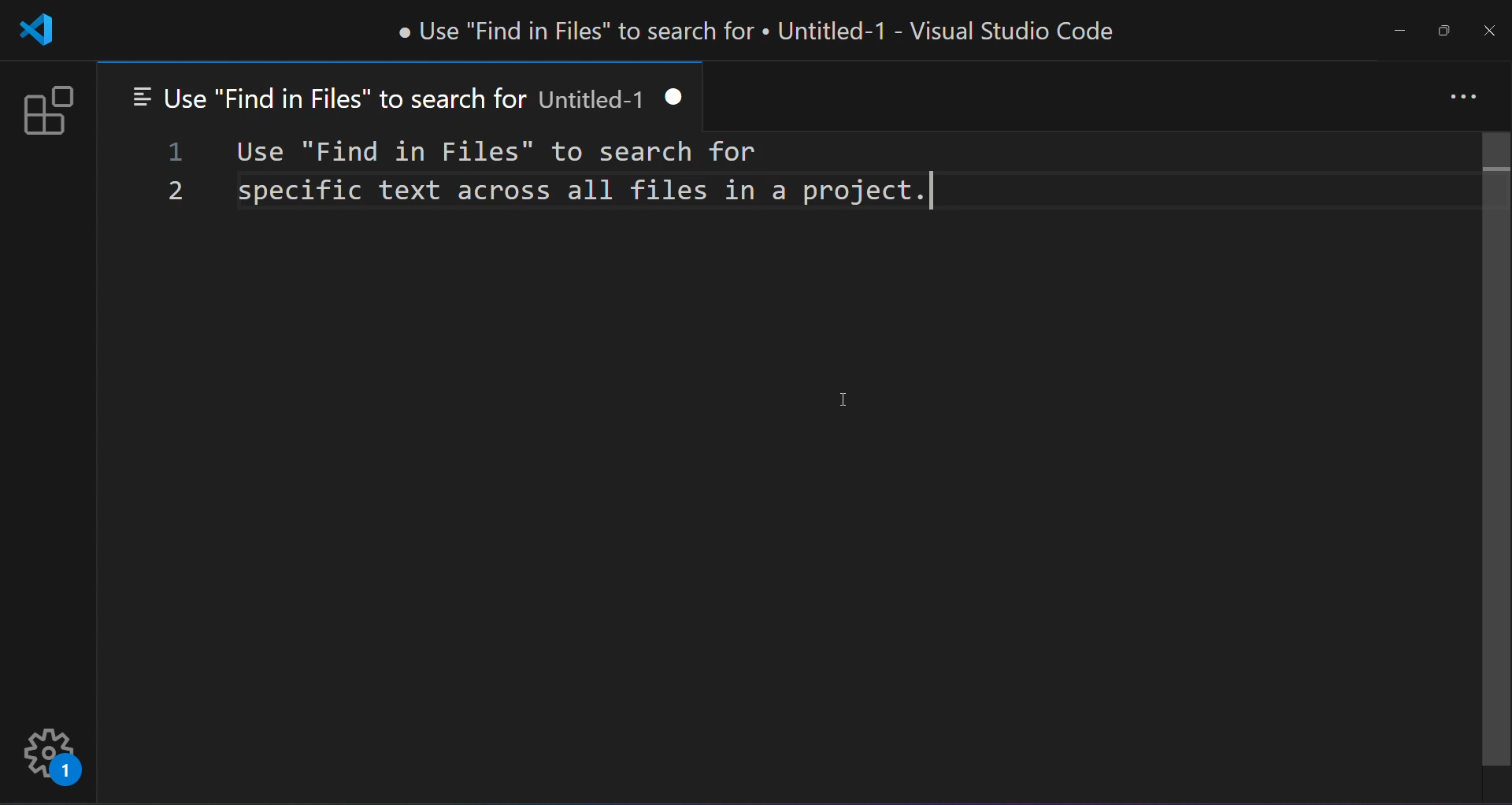  Describe the element at coordinates (581, 175) in the screenshot. I see `Use "Find in Files" to search for specific text across all files in a project. ` at that location.